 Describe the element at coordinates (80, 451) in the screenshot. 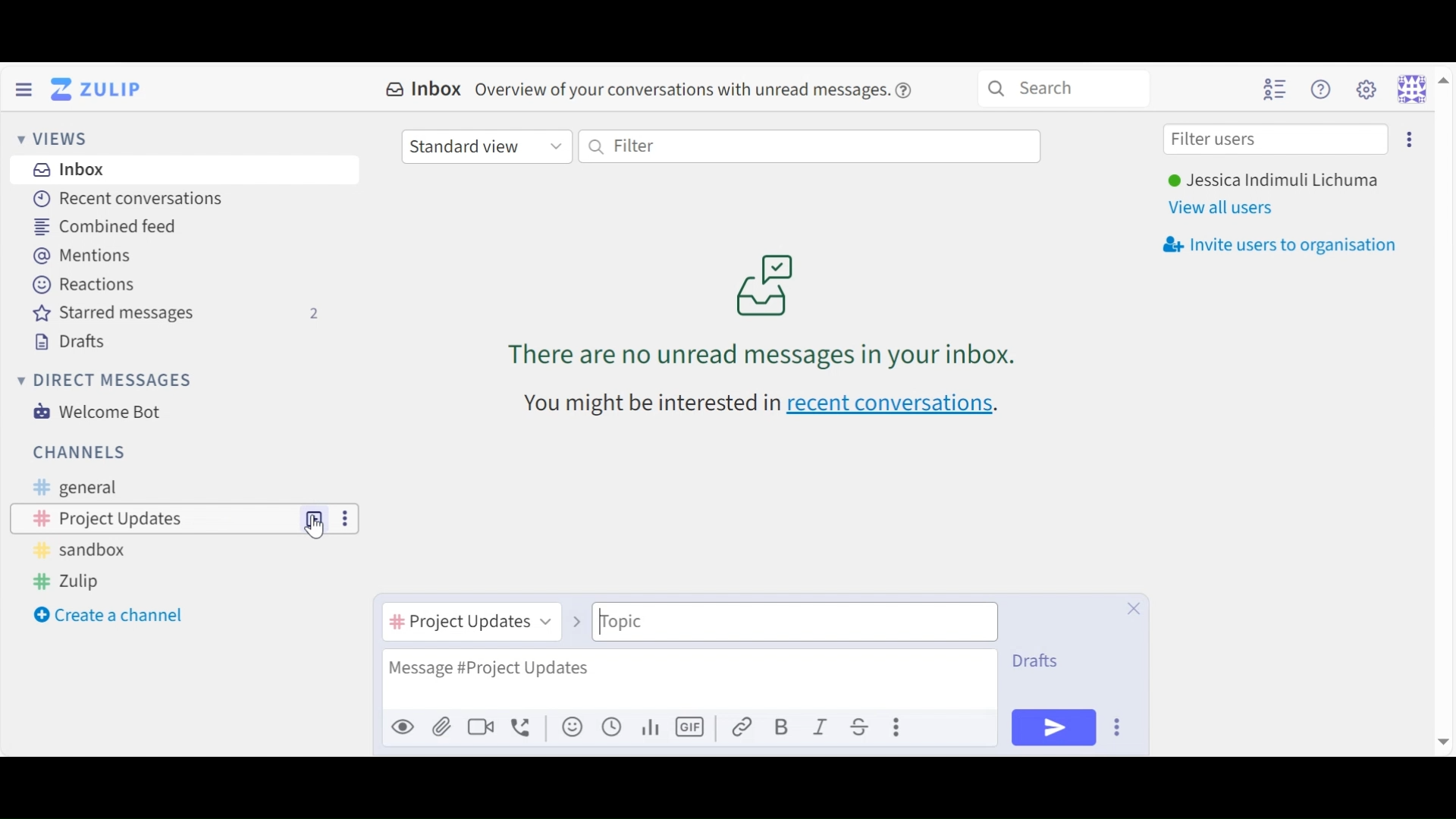

I see `Channel` at that location.